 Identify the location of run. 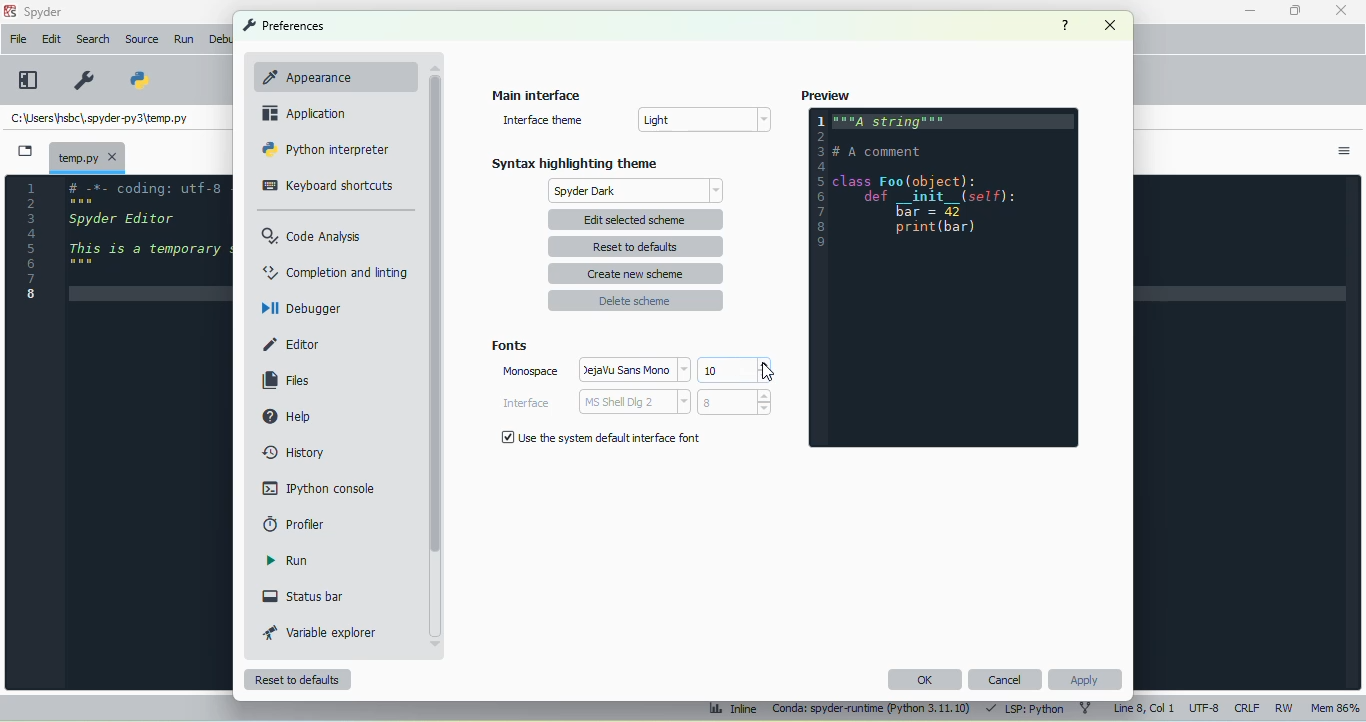
(287, 560).